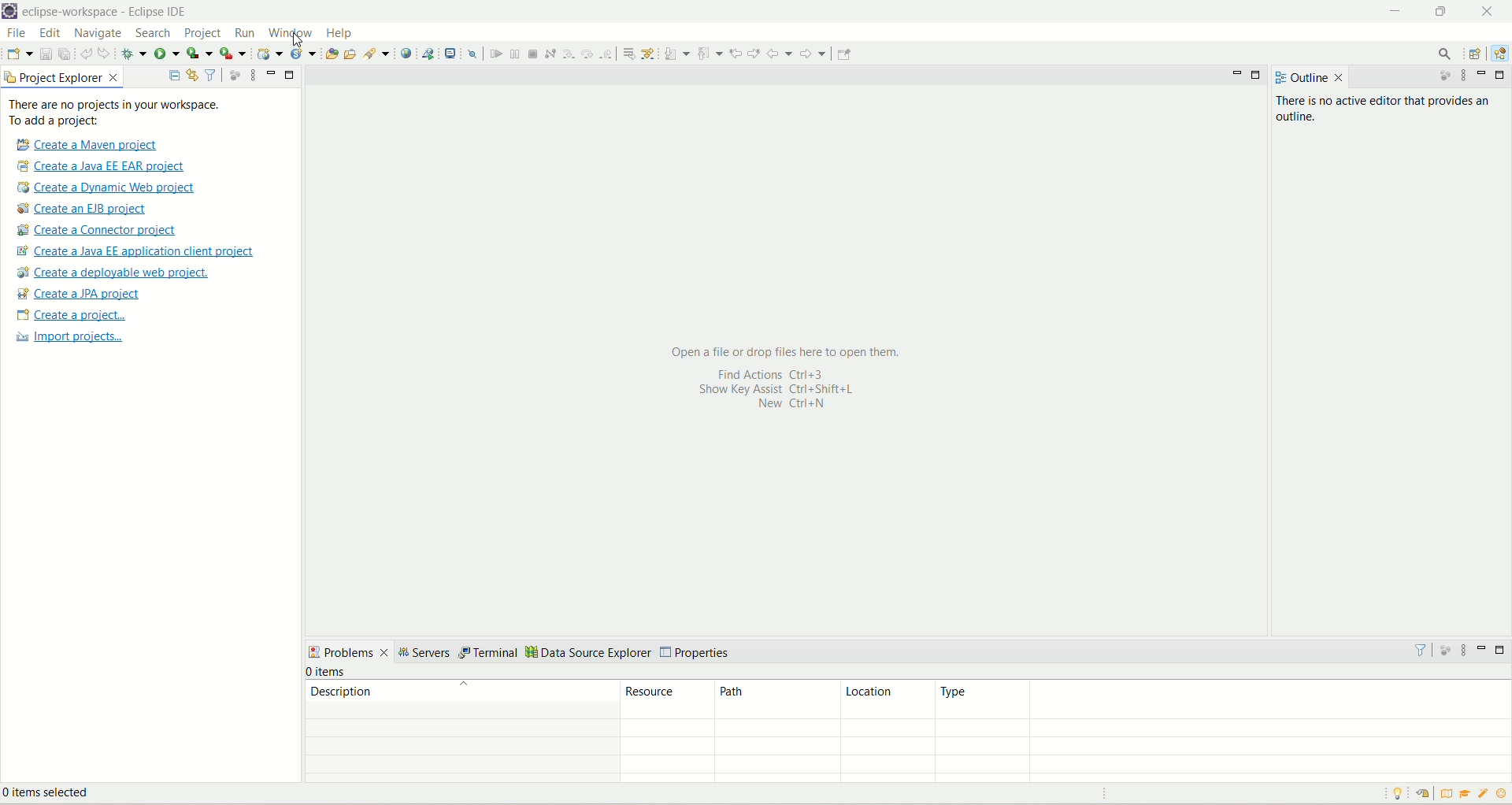 The width and height of the screenshot is (1512, 805). Describe the element at coordinates (16, 32) in the screenshot. I see `file` at that location.